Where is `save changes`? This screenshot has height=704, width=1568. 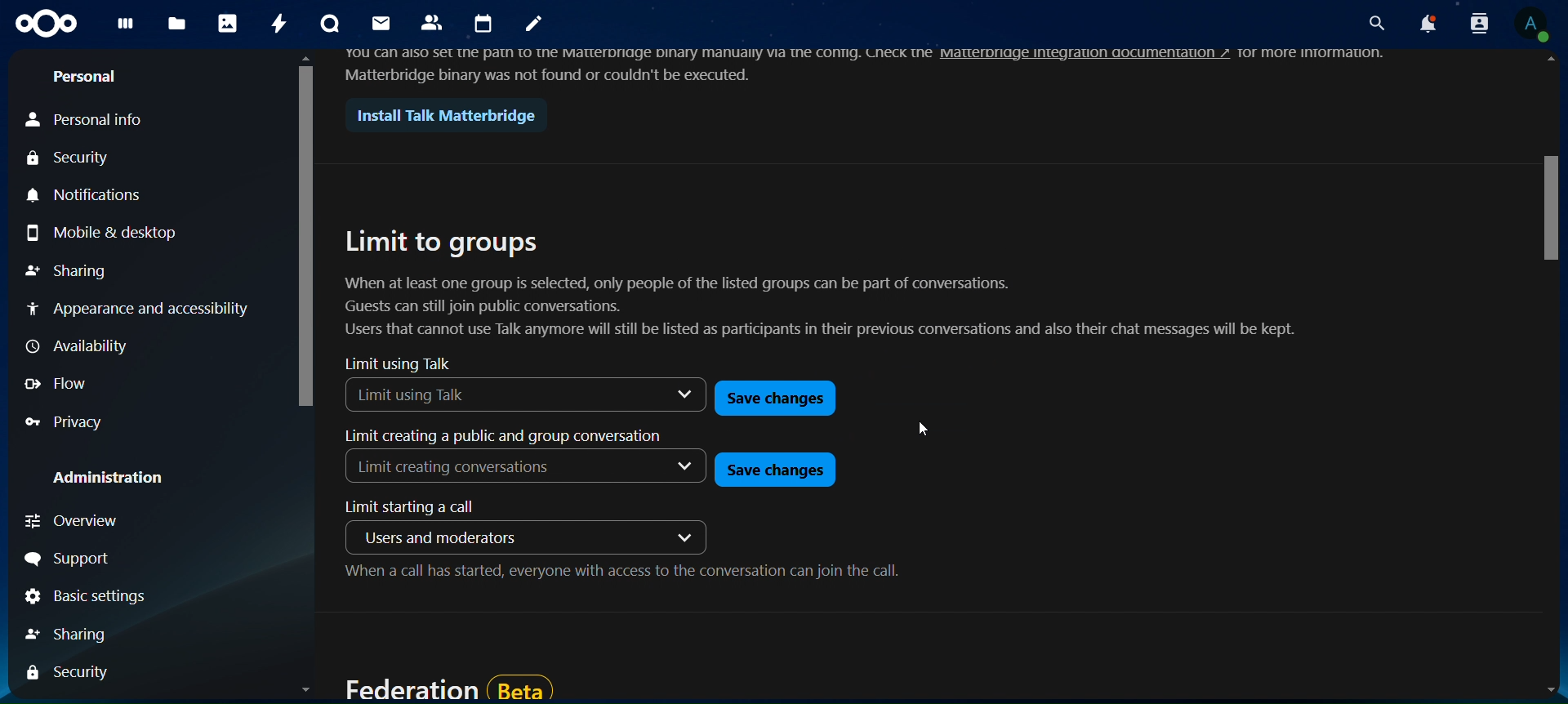 save changes is located at coordinates (777, 400).